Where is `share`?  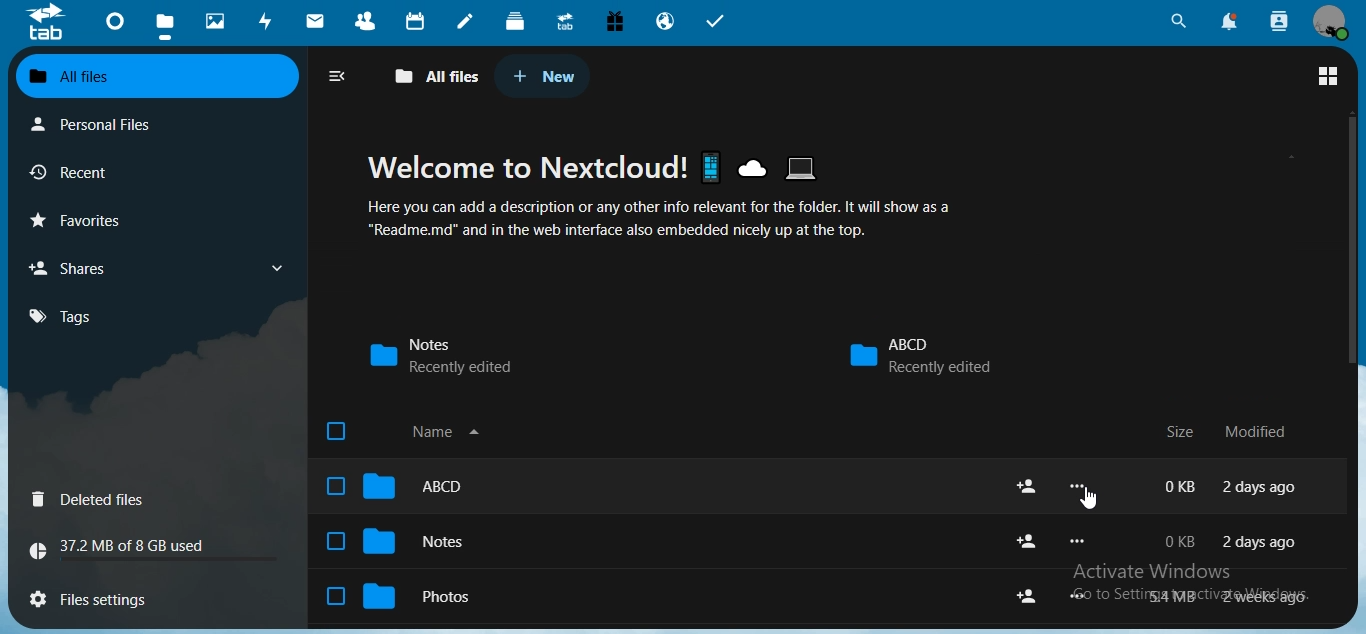 share is located at coordinates (1028, 485).